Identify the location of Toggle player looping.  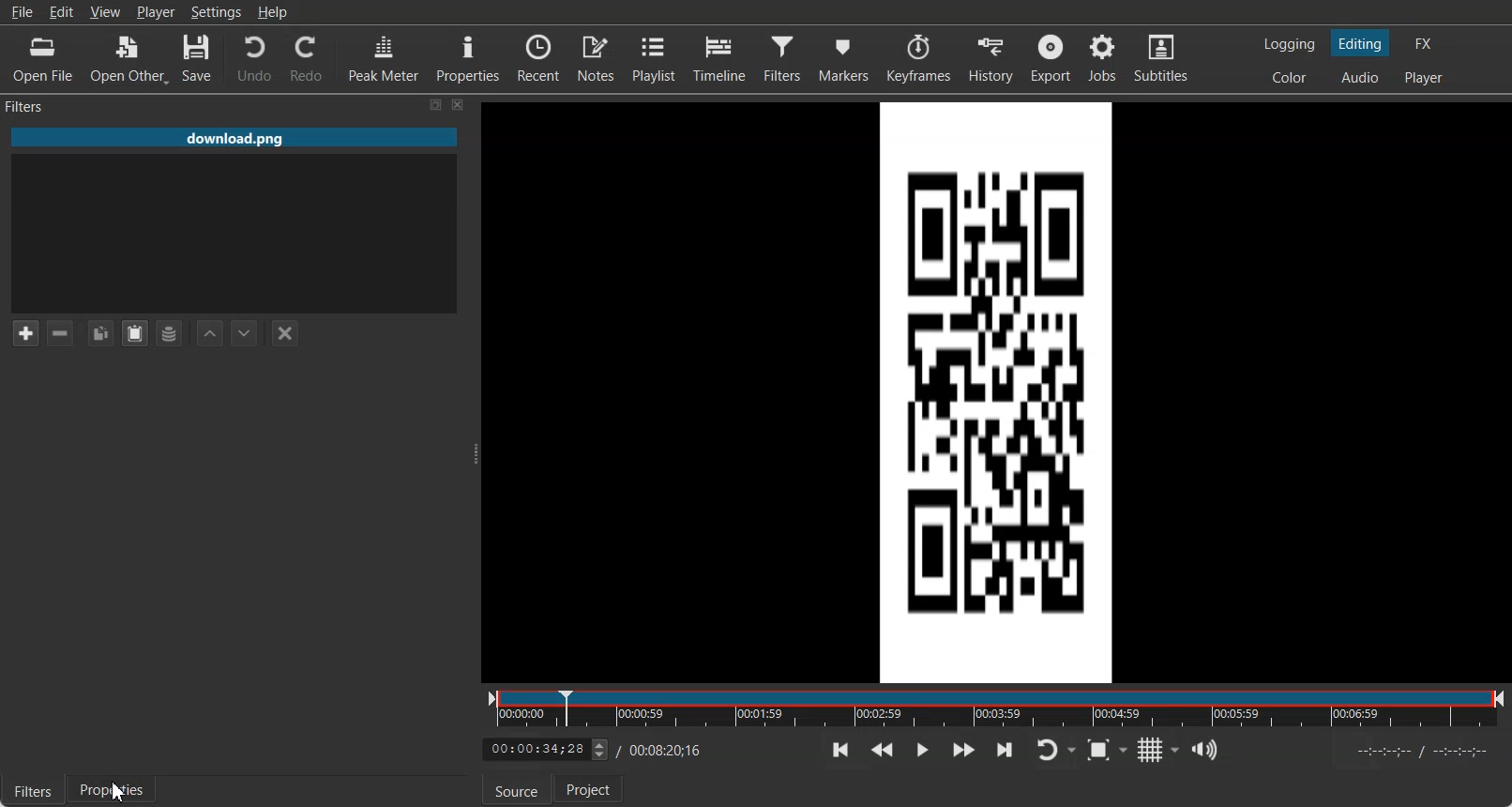
(1055, 750).